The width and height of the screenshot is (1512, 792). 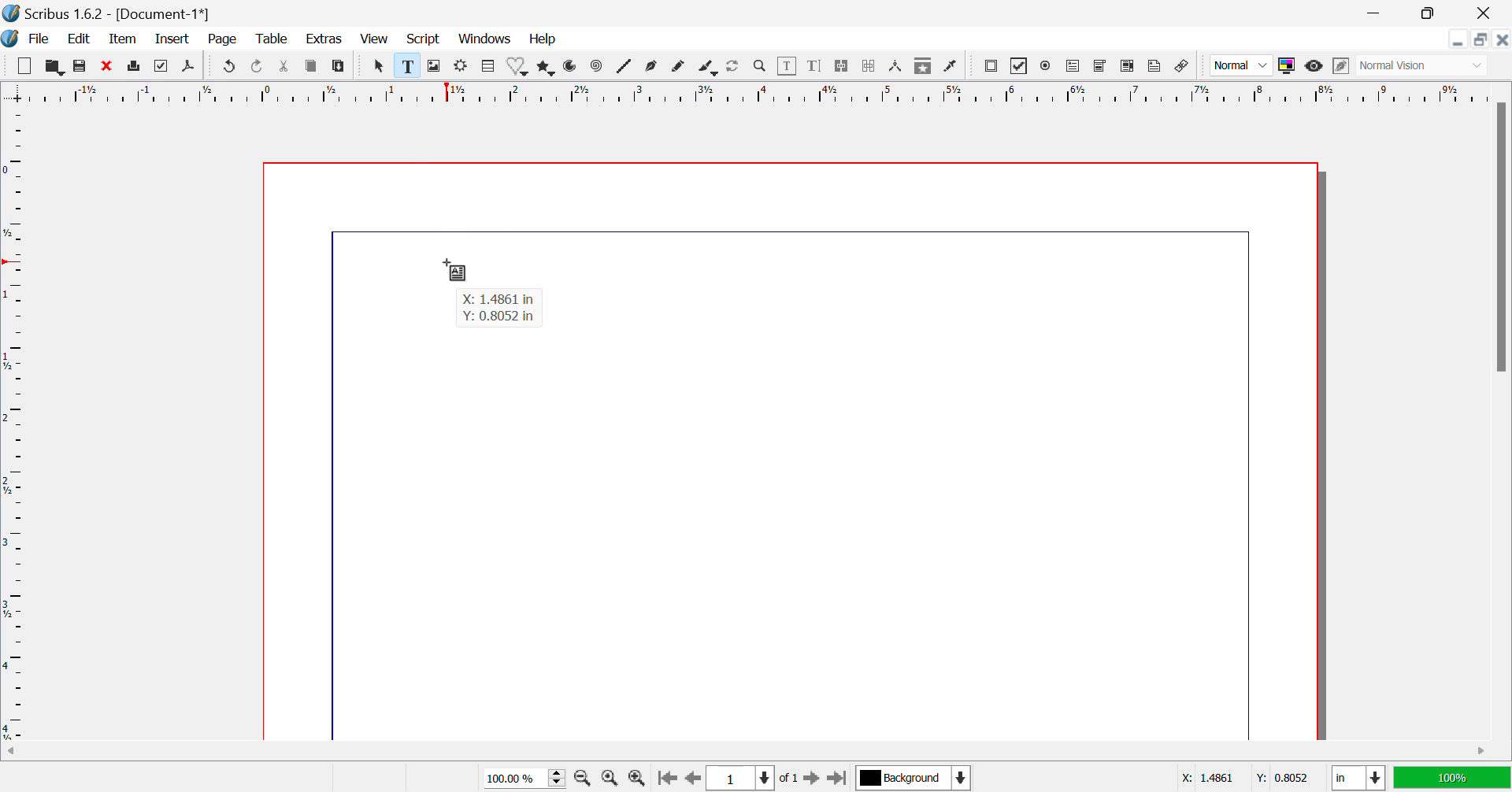 I want to click on Preflight Verifier, so click(x=161, y=68).